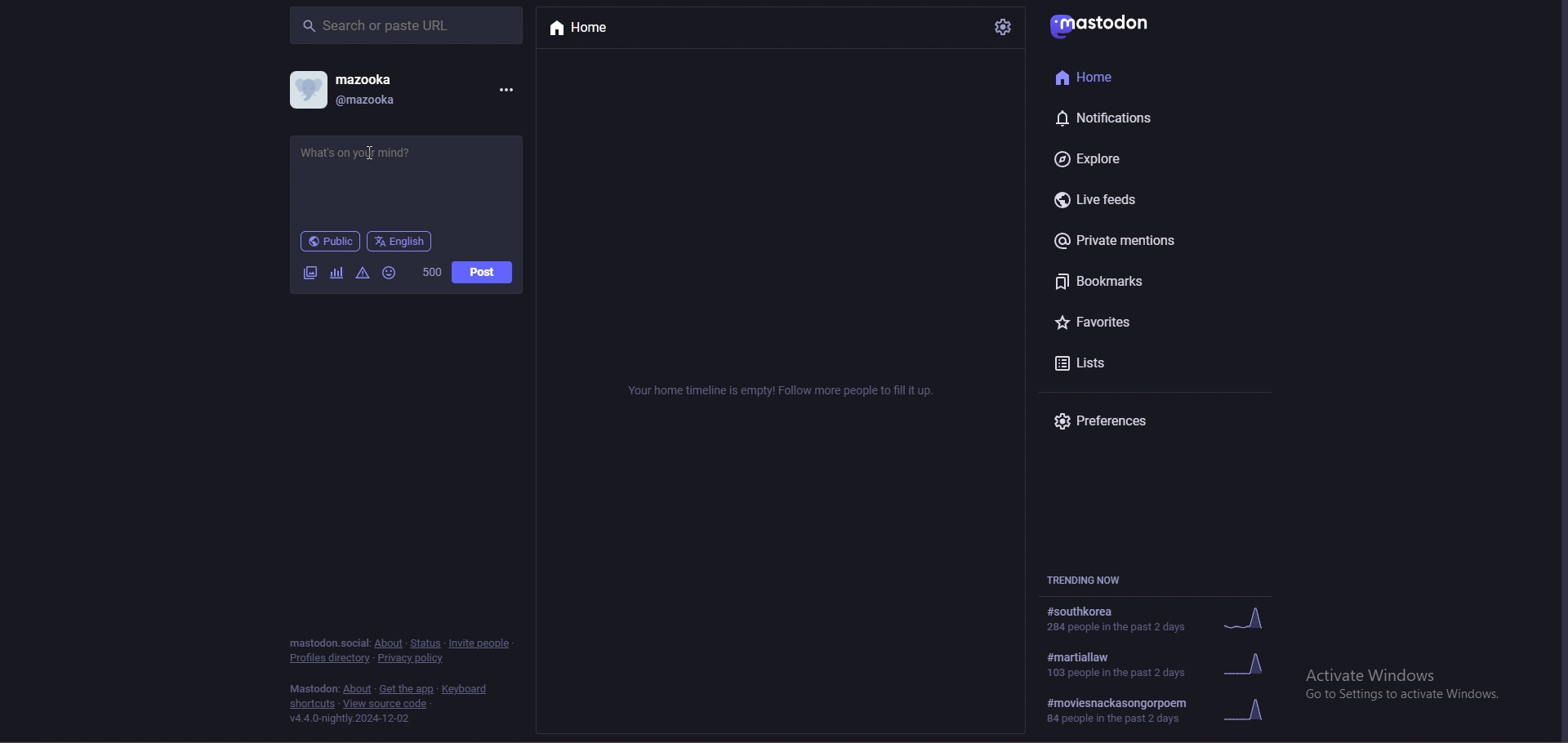 The height and width of the screenshot is (743, 1568). Describe the element at coordinates (368, 79) in the screenshot. I see `mazooka` at that location.